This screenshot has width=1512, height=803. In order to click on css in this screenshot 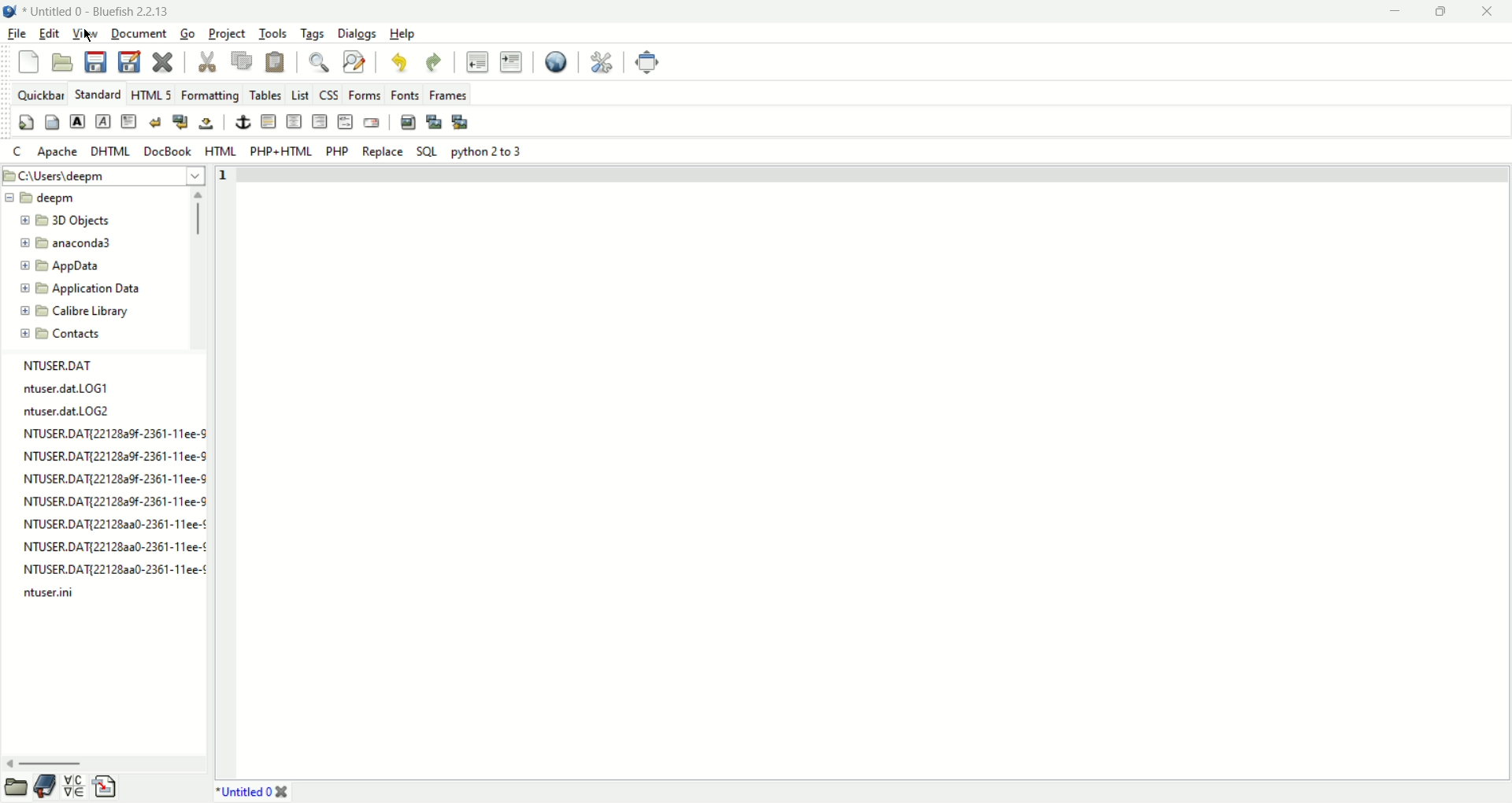, I will do `click(327, 94)`.